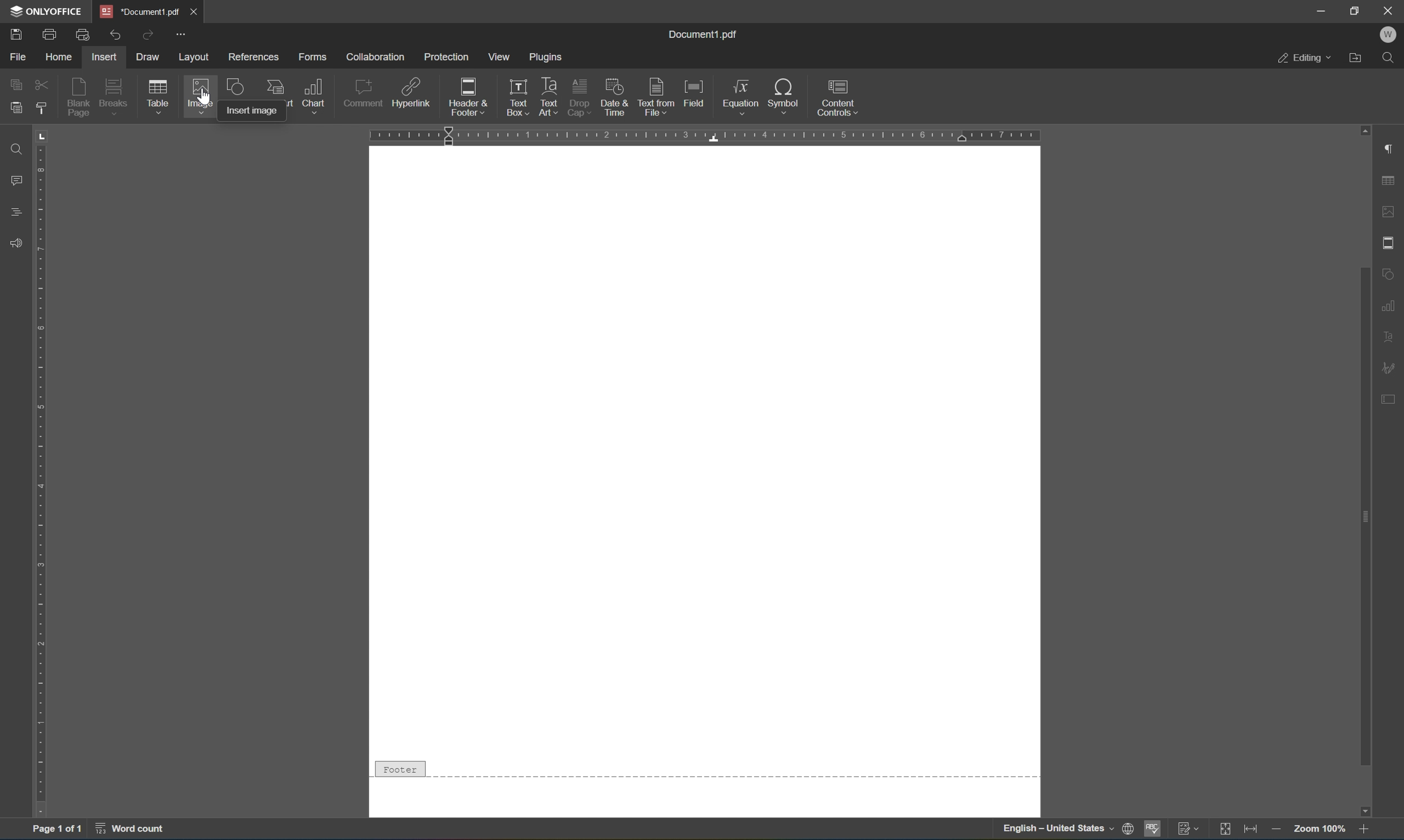  What do you see at coordinates (838, 97) in the screenshot?
I see `content controls` at bounding box center [838, 97].